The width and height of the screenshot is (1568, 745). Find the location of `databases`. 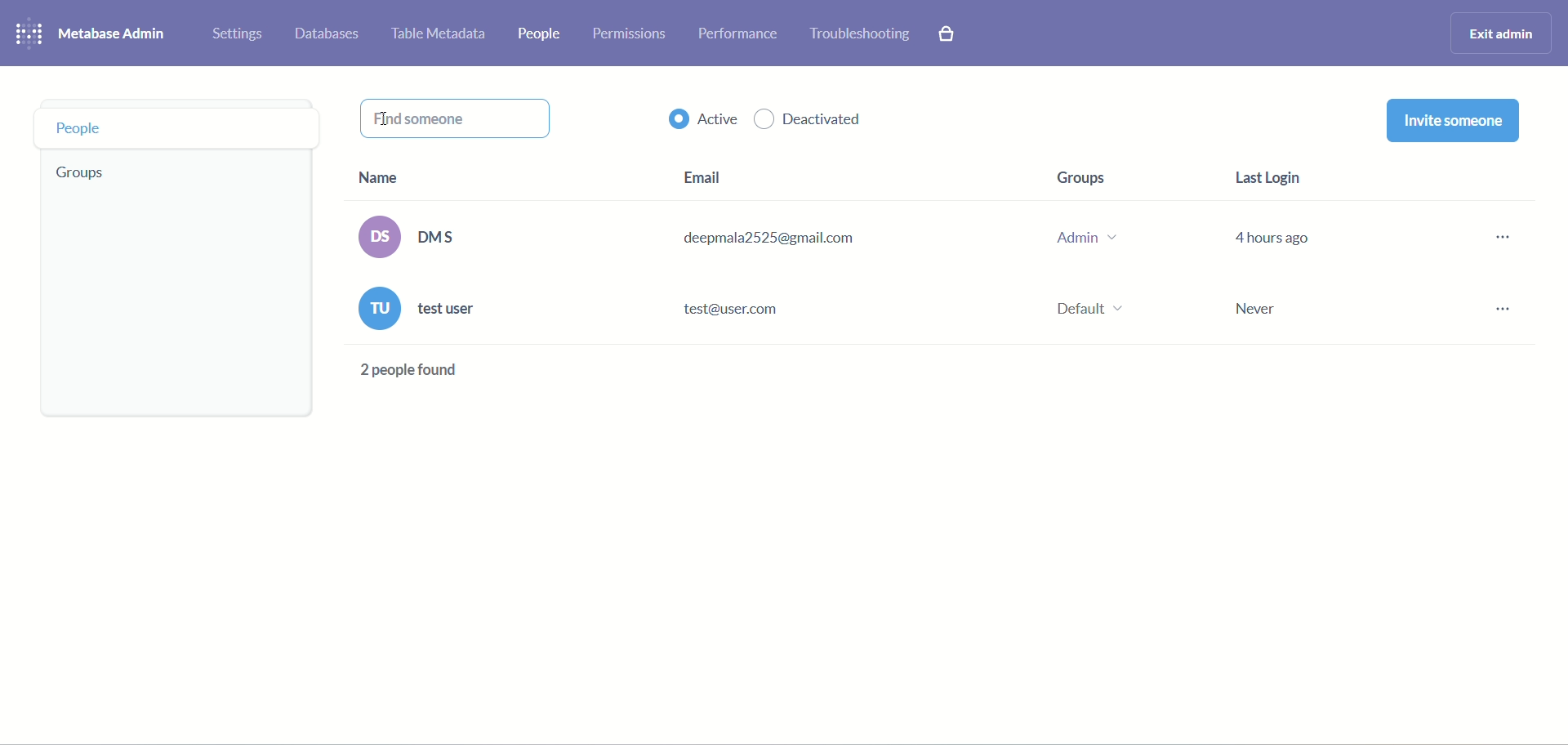

databases is located at coordinates (332, 35).